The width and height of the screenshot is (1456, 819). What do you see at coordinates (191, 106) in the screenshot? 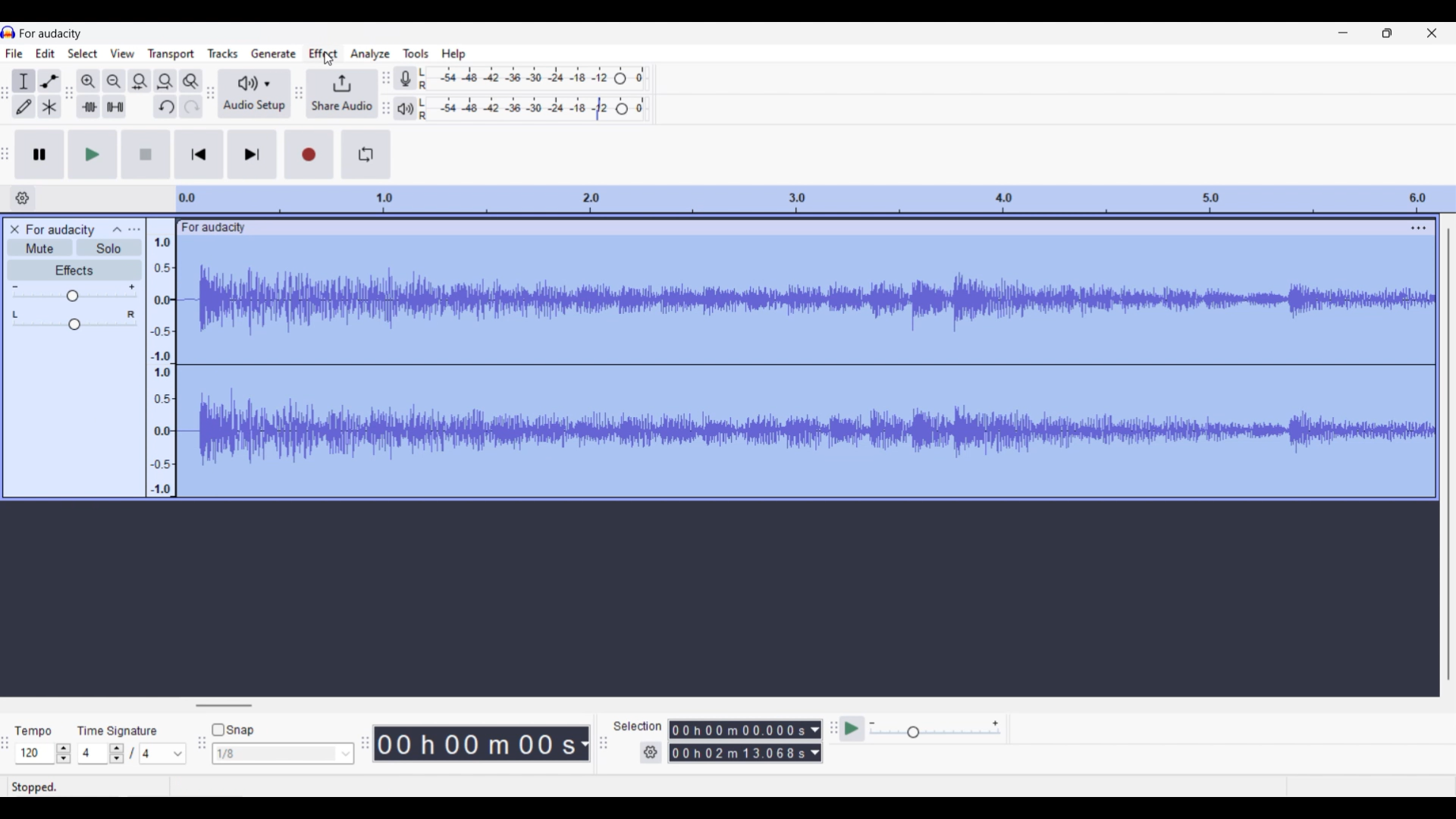
I see `Redo` at bounding box center [191, 106].